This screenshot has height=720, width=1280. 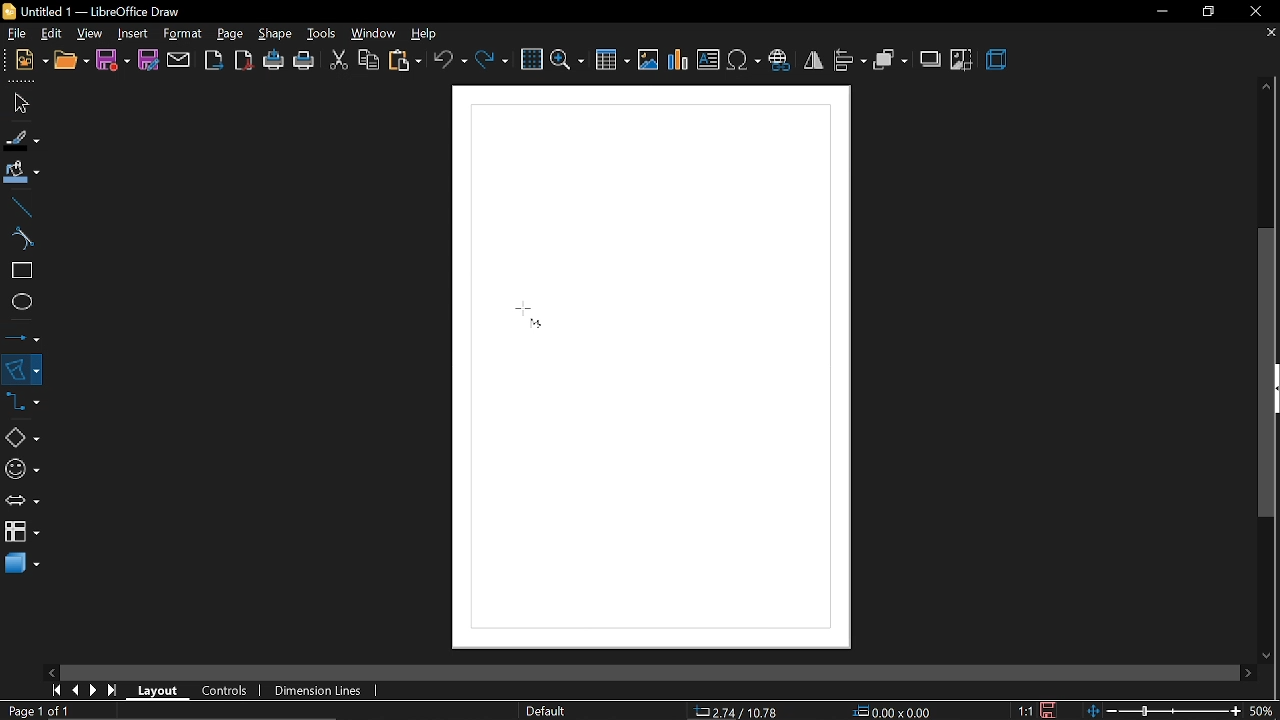 I want to click on shape, so click(x=275, y=37).